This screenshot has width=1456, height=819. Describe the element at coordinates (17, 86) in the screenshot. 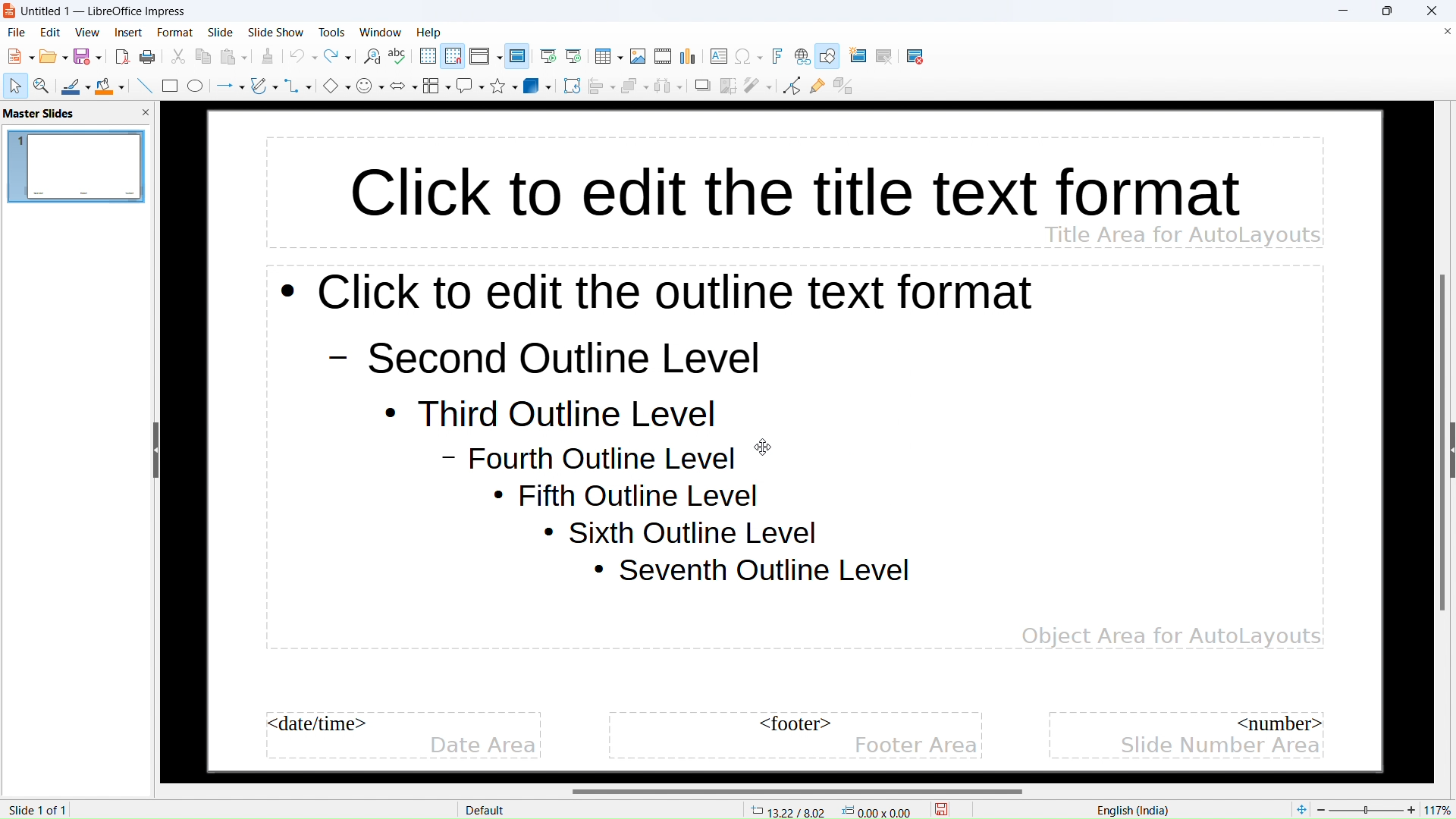

I see `select` at that location.